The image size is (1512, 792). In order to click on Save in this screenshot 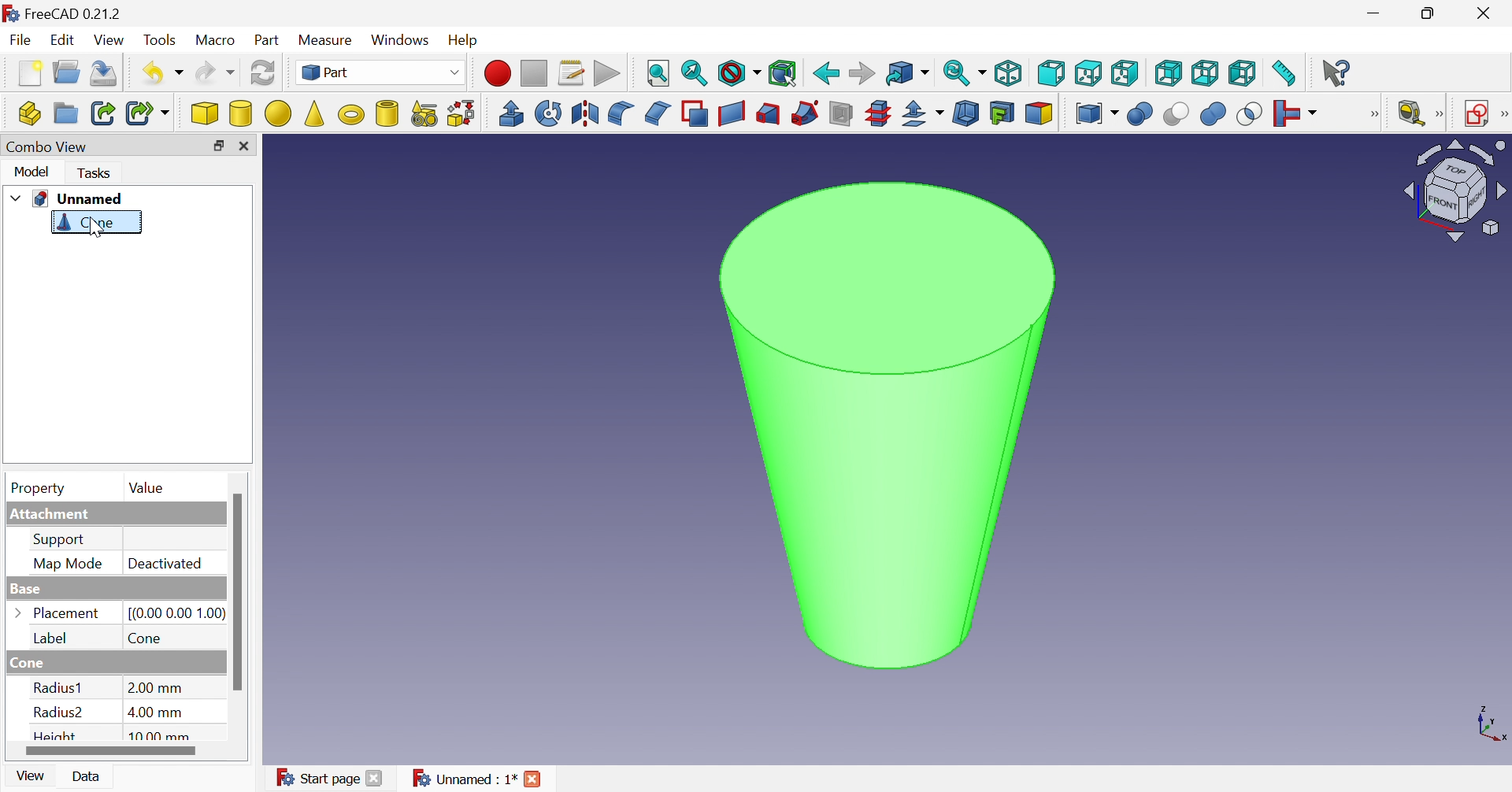, I will do `click(105, 73)`.